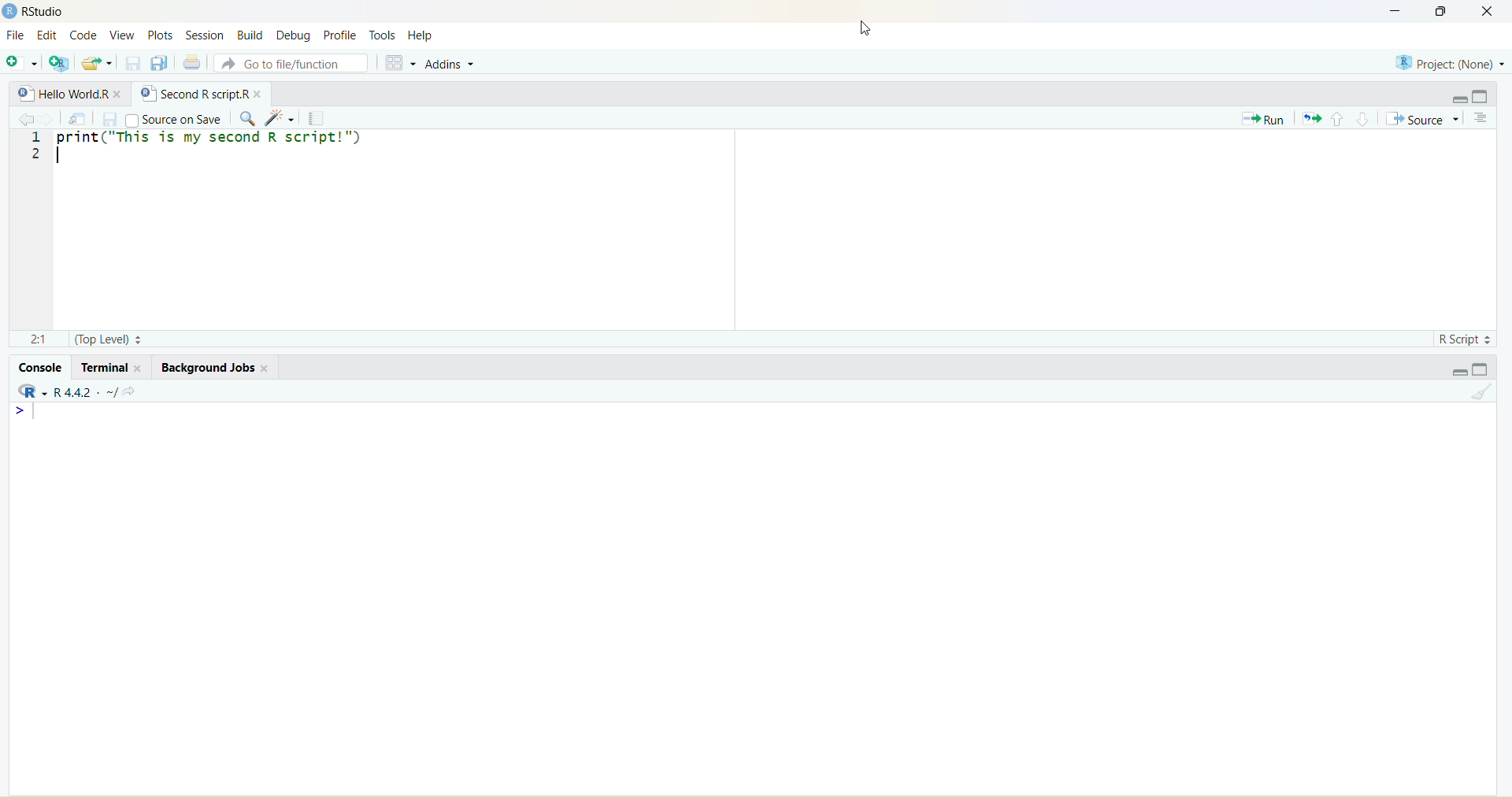 The image size is (1512, 797). I want to click on Edit, so click(47, 36).